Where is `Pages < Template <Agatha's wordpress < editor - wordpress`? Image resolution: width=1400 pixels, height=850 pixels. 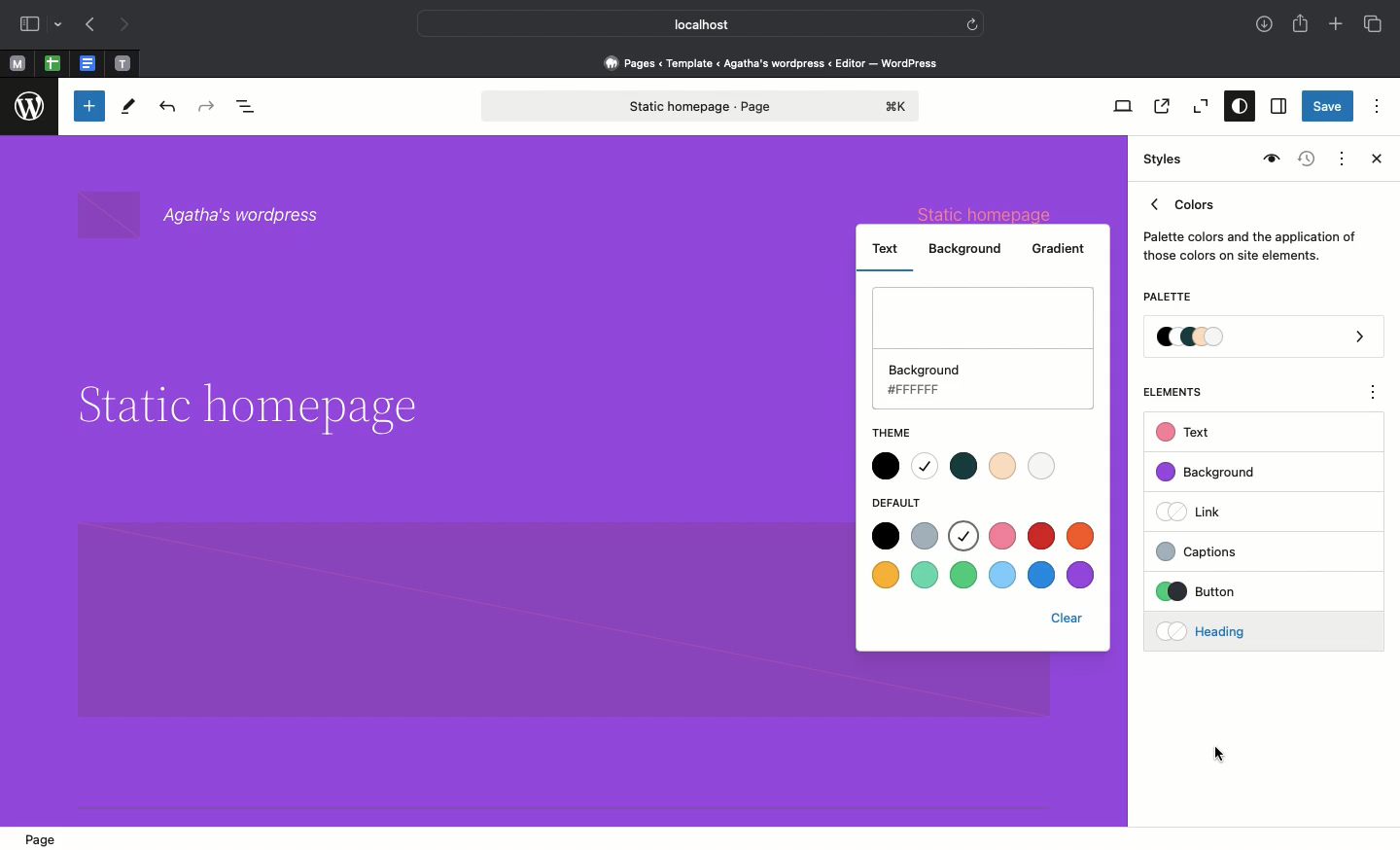
Pages < Template <Agatha's wordpress < editor - wordpress is located at coordinates (778, 62).